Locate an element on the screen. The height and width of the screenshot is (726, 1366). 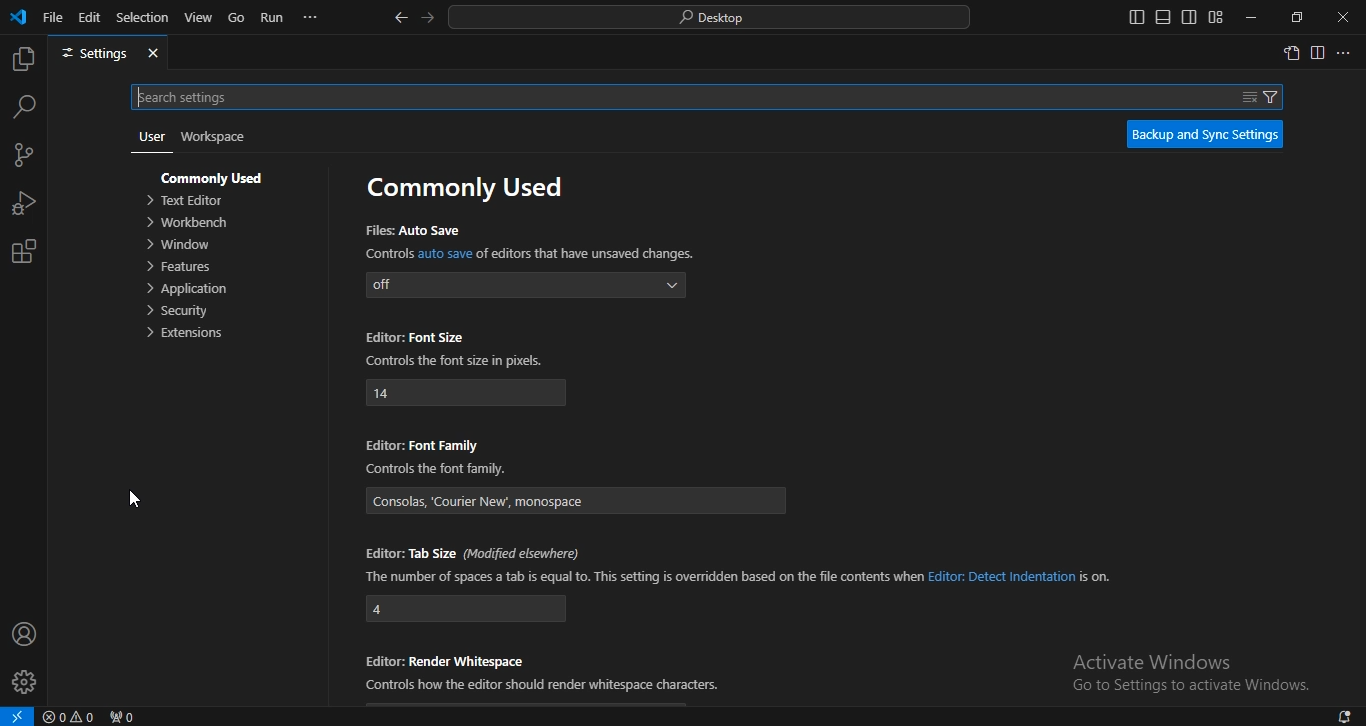
extensions is located at coordinates (26, 252).